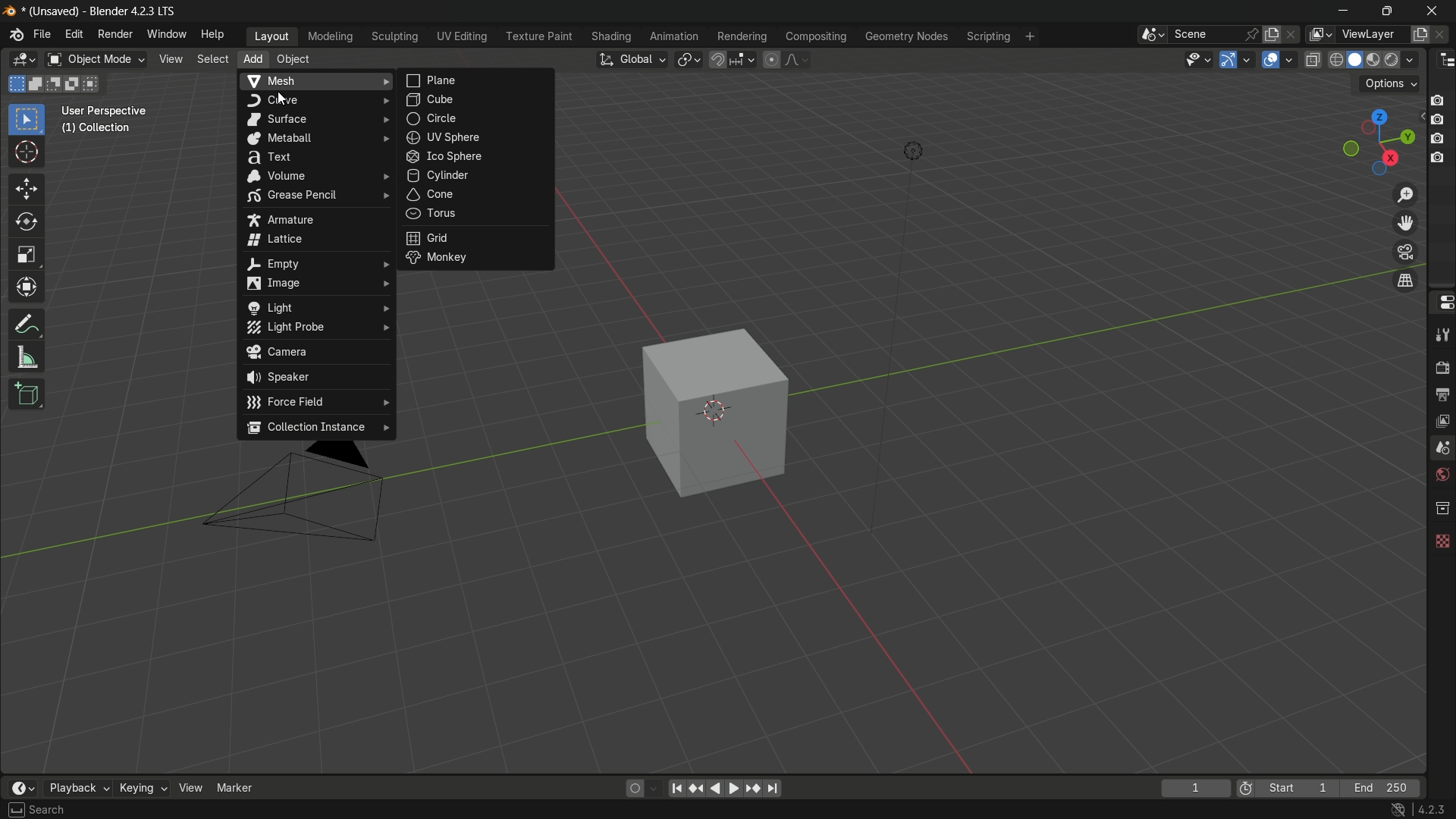 The height and width of the screenshot is (819, 1456). Describe the element at coordinates (171, 59) in the screenshot. I see `view` at that location.